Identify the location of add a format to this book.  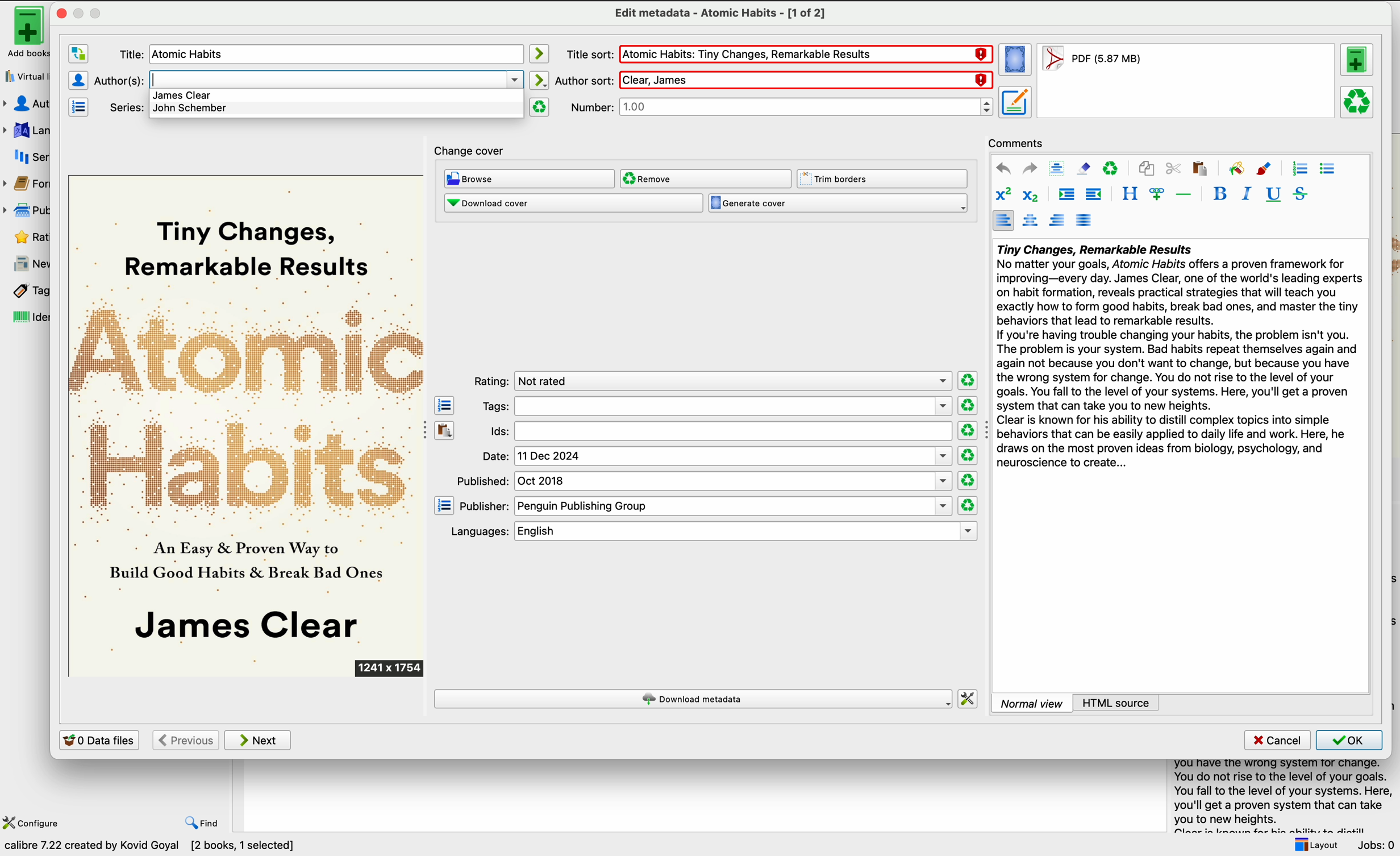
(1359, 62).